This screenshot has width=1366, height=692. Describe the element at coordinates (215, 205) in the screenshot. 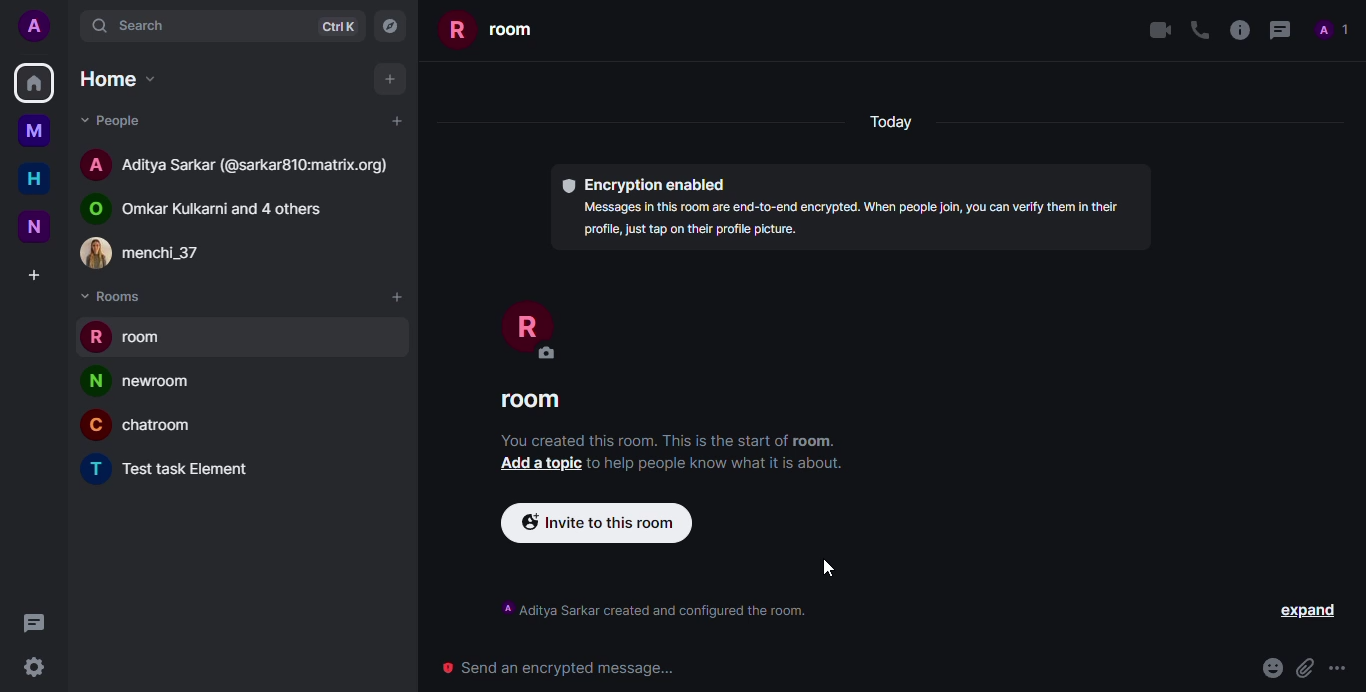

I see `public room` at that location.